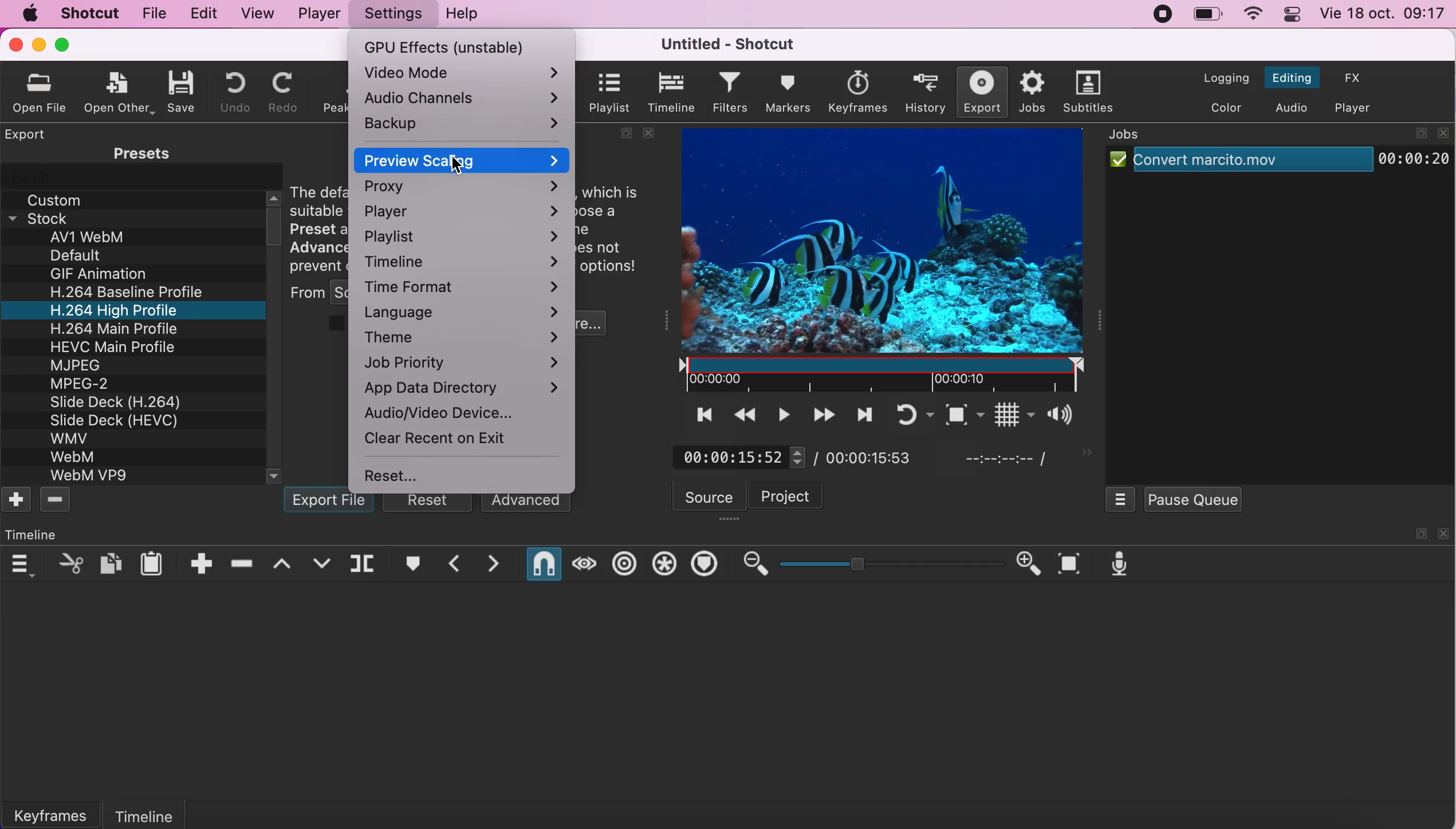  What do you see at coordinates (946, 413) in the screenshot?
I see `toggle zoom` at bounding box center [946, 413].